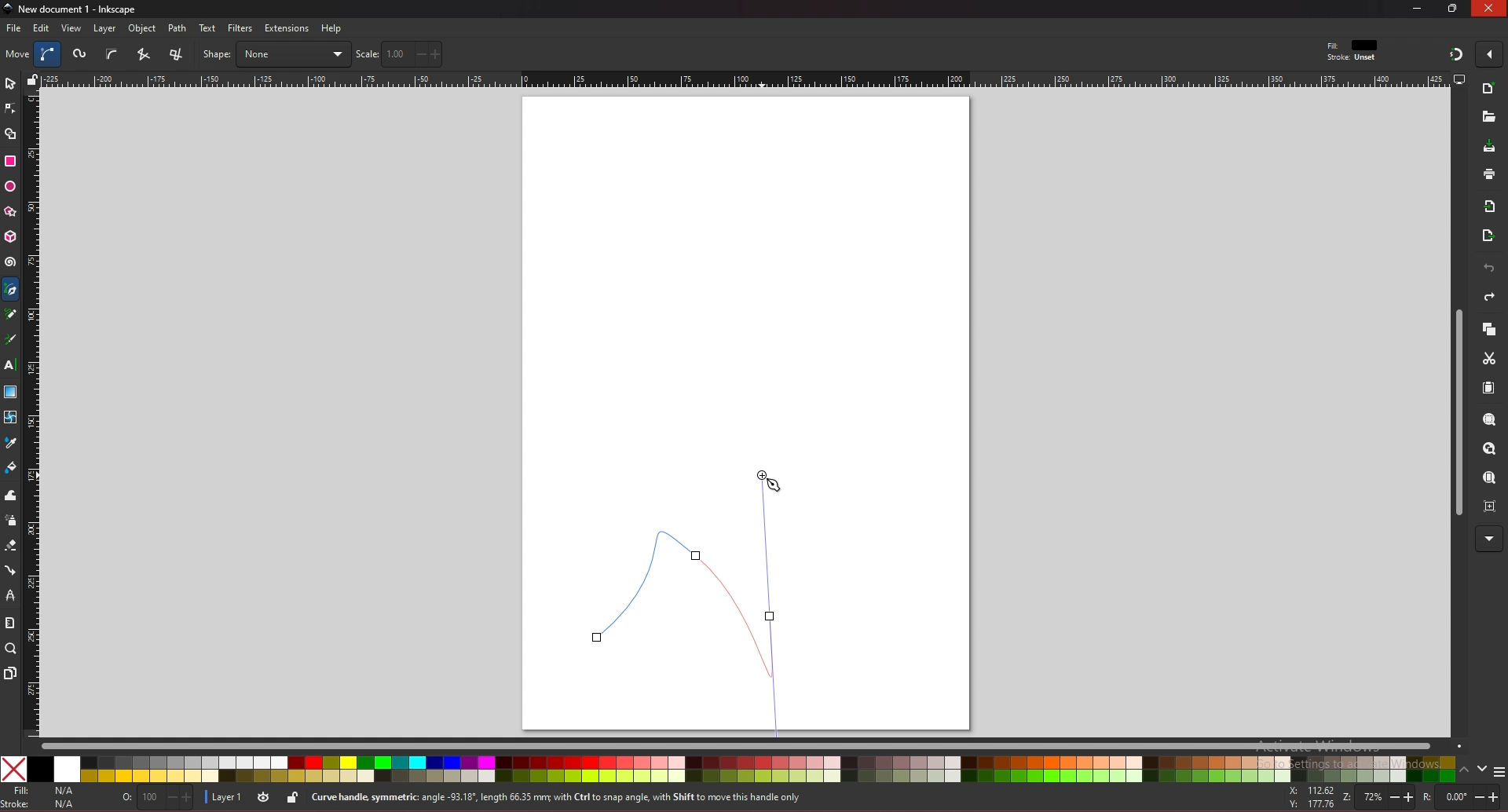 The image size is (1508, 812). What do you see at coordinates (1489, 269) in the screenshot?
I see `undo` at bounding box center [1489, 269].